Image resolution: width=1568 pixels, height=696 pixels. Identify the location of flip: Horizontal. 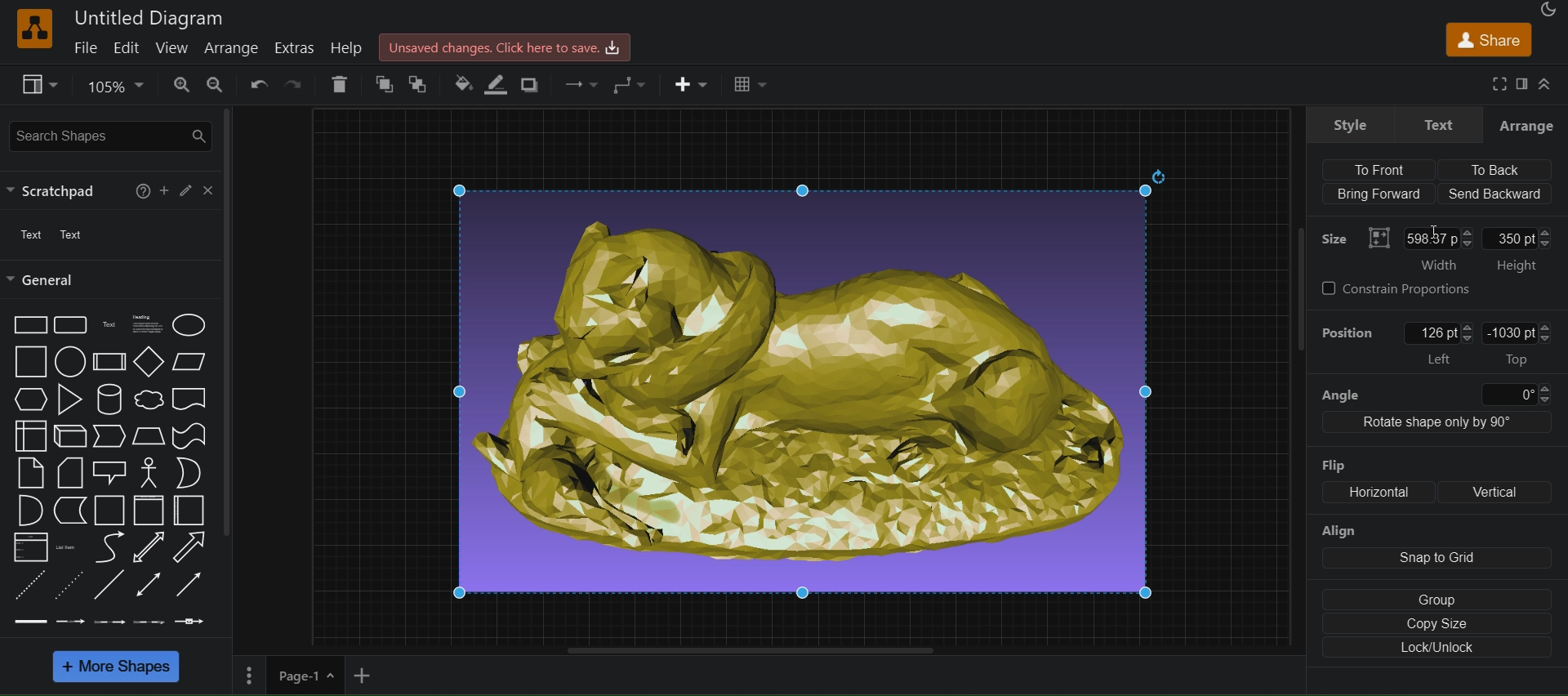
(1367, 493).